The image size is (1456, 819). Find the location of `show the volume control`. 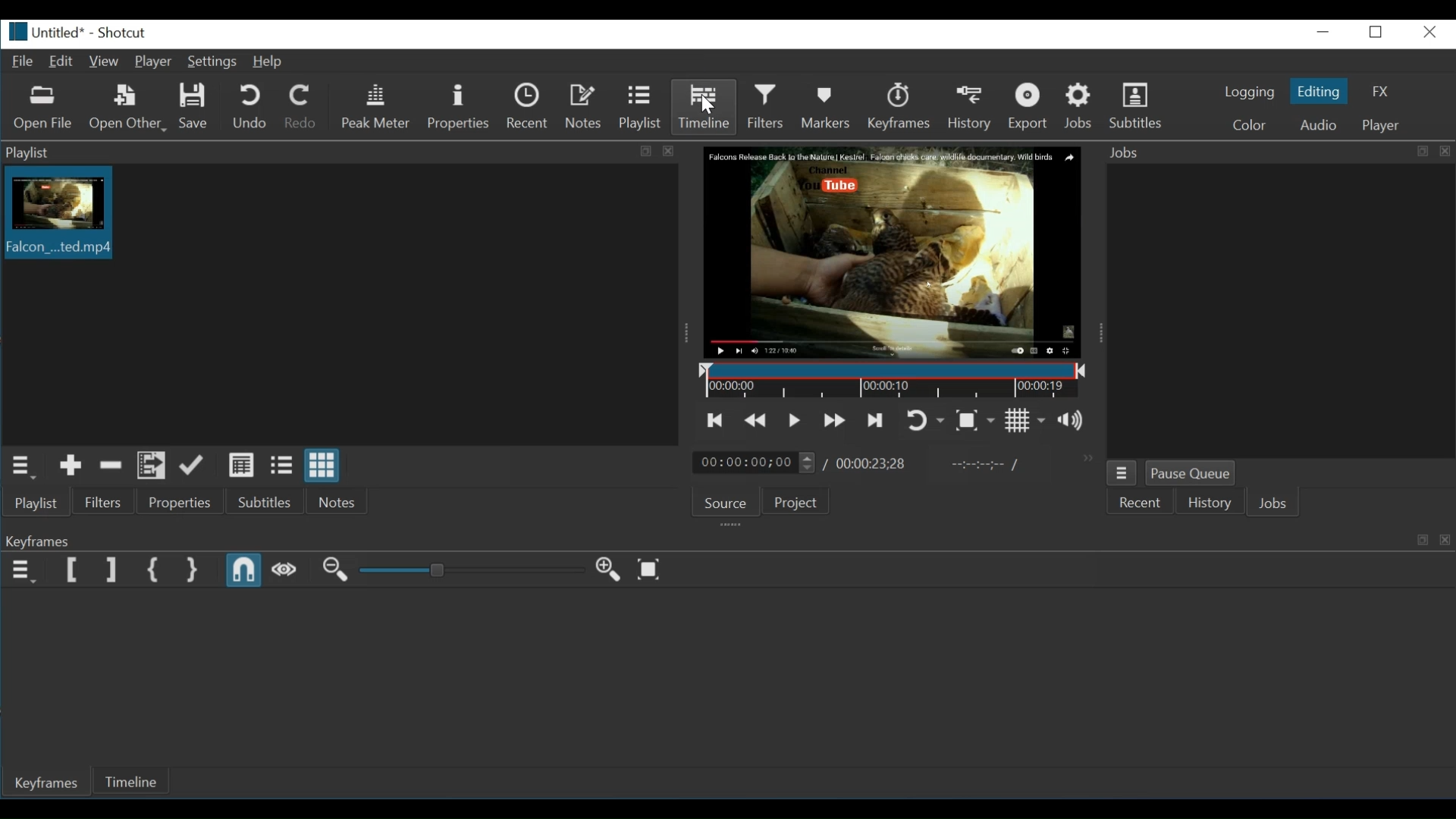

show the volume control is located at coordinates (1075, 420).